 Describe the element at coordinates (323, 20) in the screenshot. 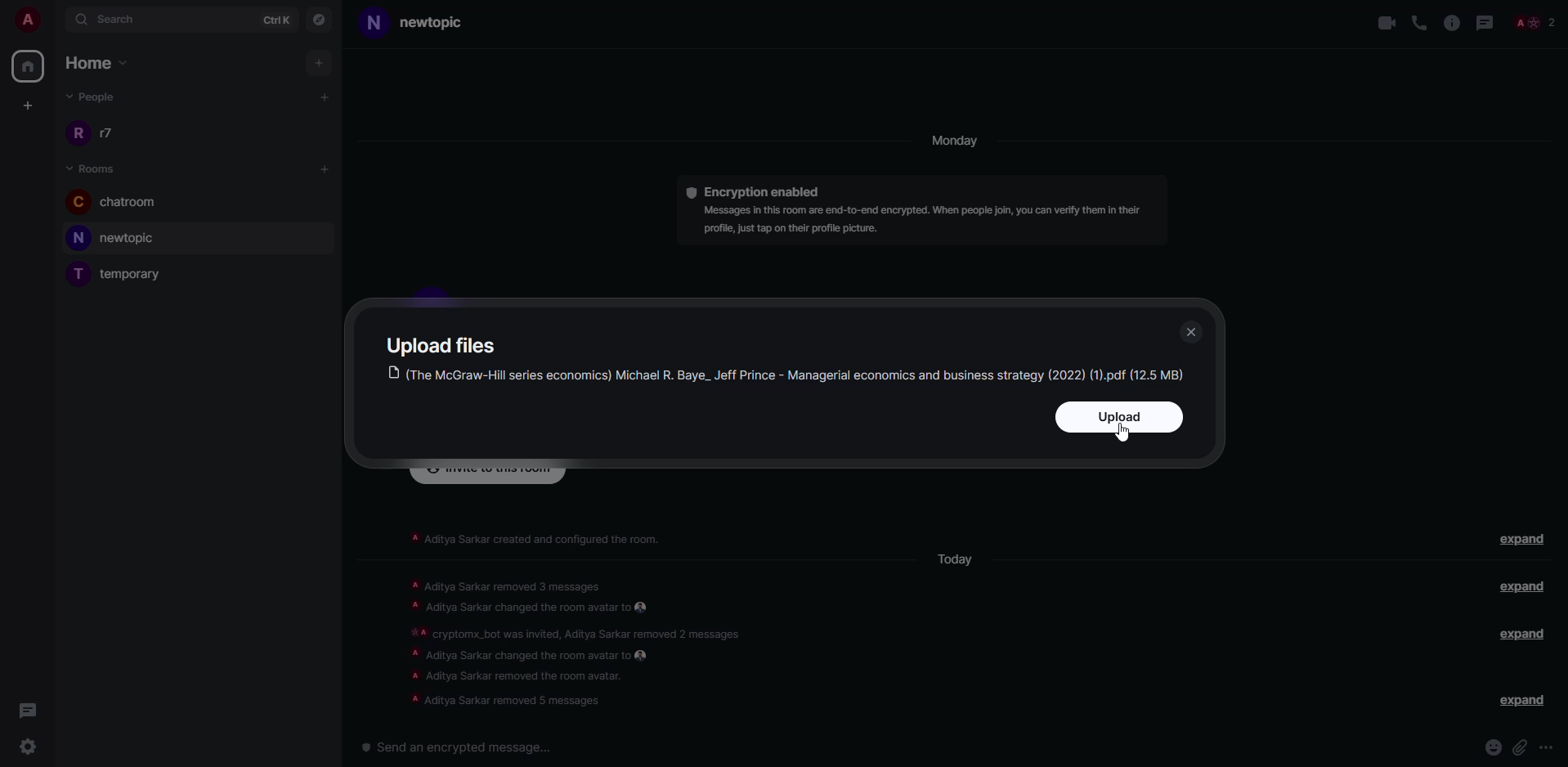

I see `navigator` at that location.